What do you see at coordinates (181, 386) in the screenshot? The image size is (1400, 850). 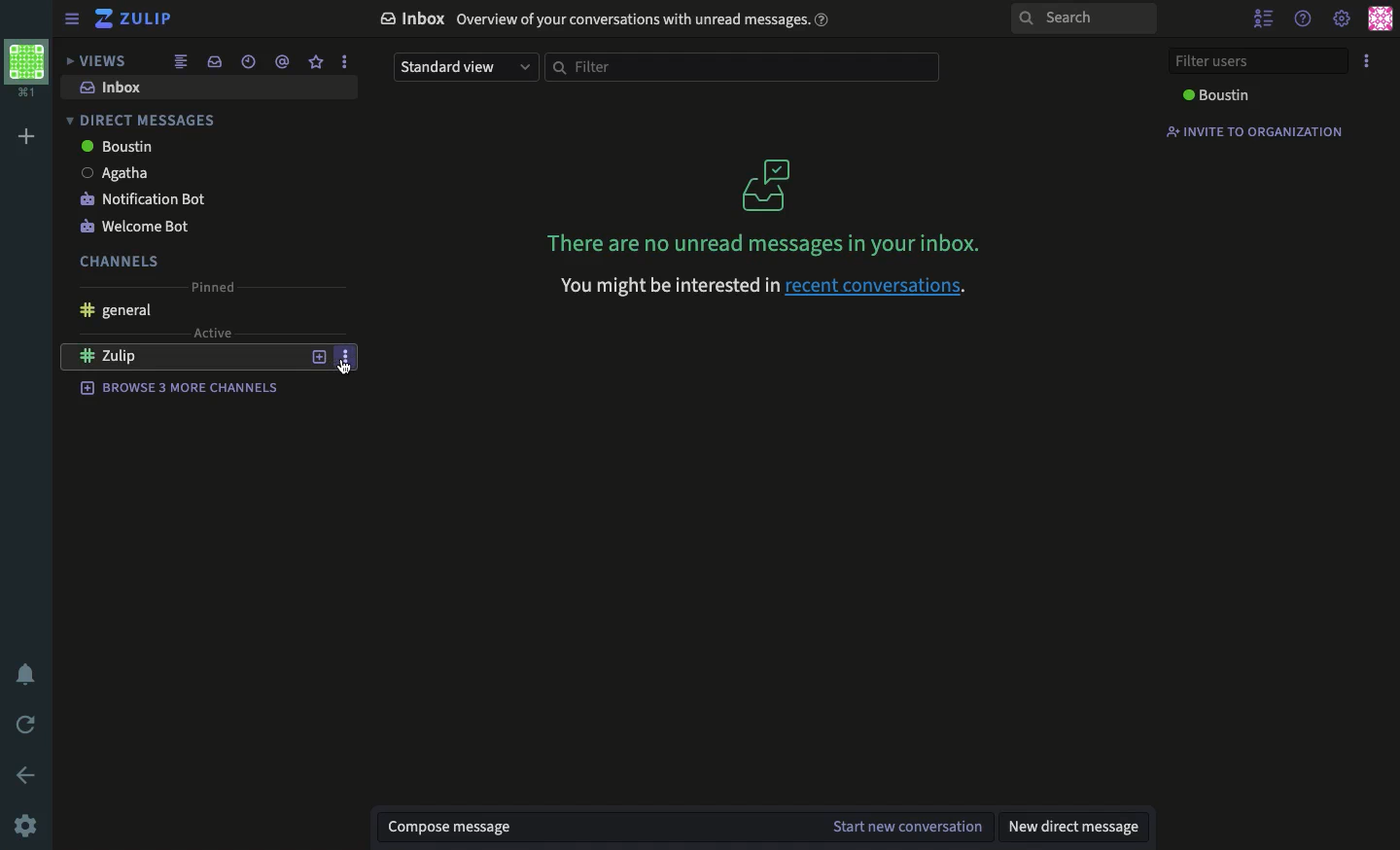 I see `browse 3 more channels` at bounding box center [181, 386].